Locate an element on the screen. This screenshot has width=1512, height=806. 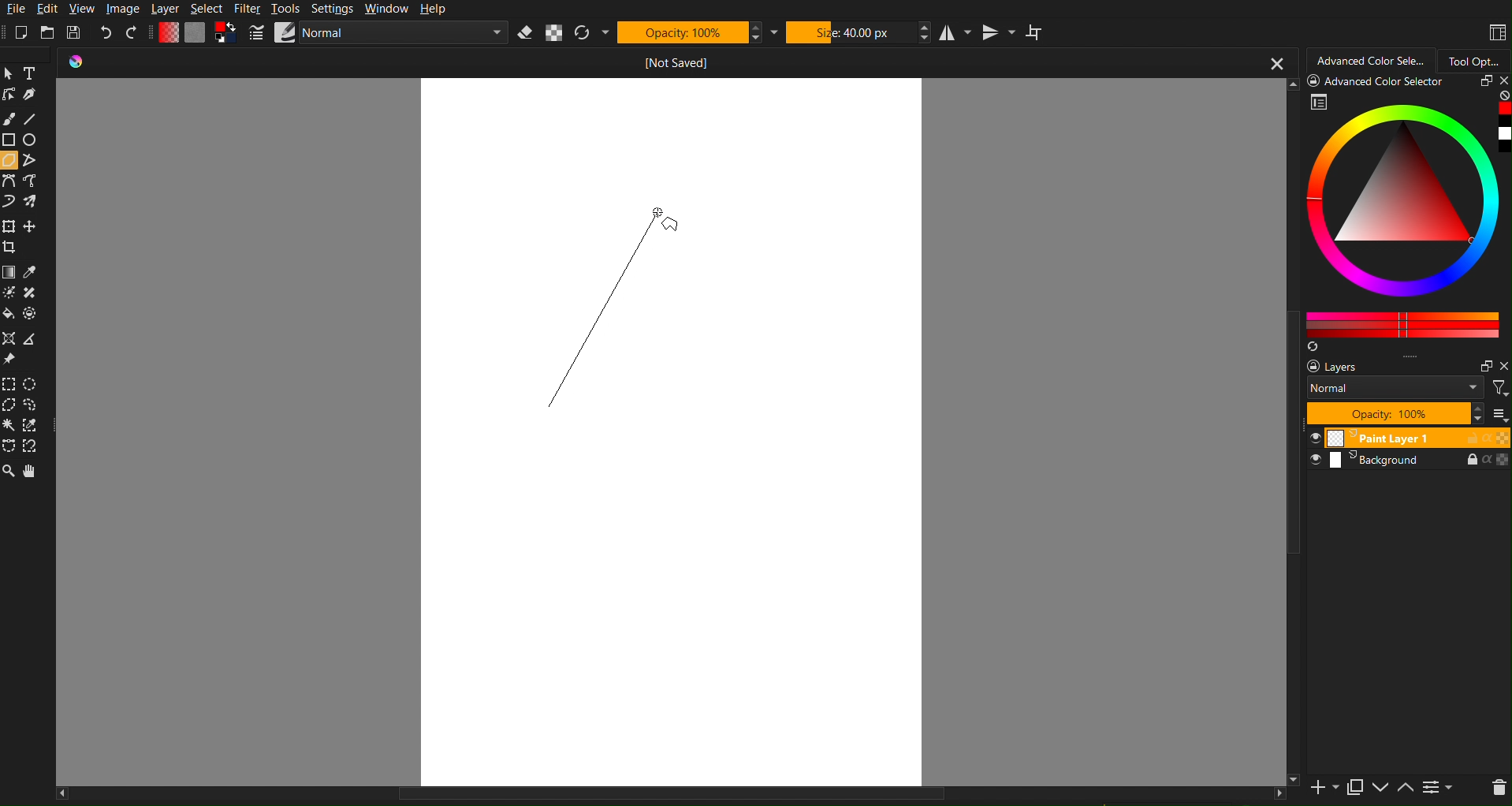
New is located at coordinates (21, 32).